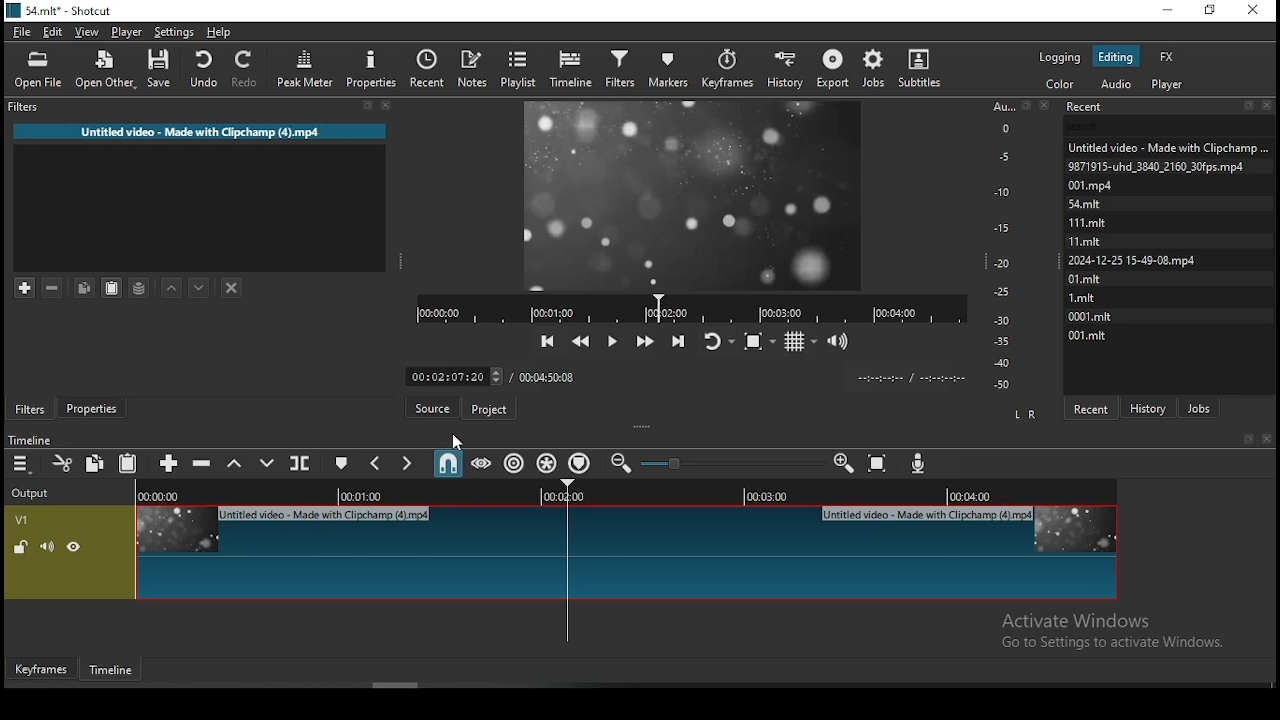 The height and width of the screenshot is (720, 1280). I want to click on recent, so click(426, 68).